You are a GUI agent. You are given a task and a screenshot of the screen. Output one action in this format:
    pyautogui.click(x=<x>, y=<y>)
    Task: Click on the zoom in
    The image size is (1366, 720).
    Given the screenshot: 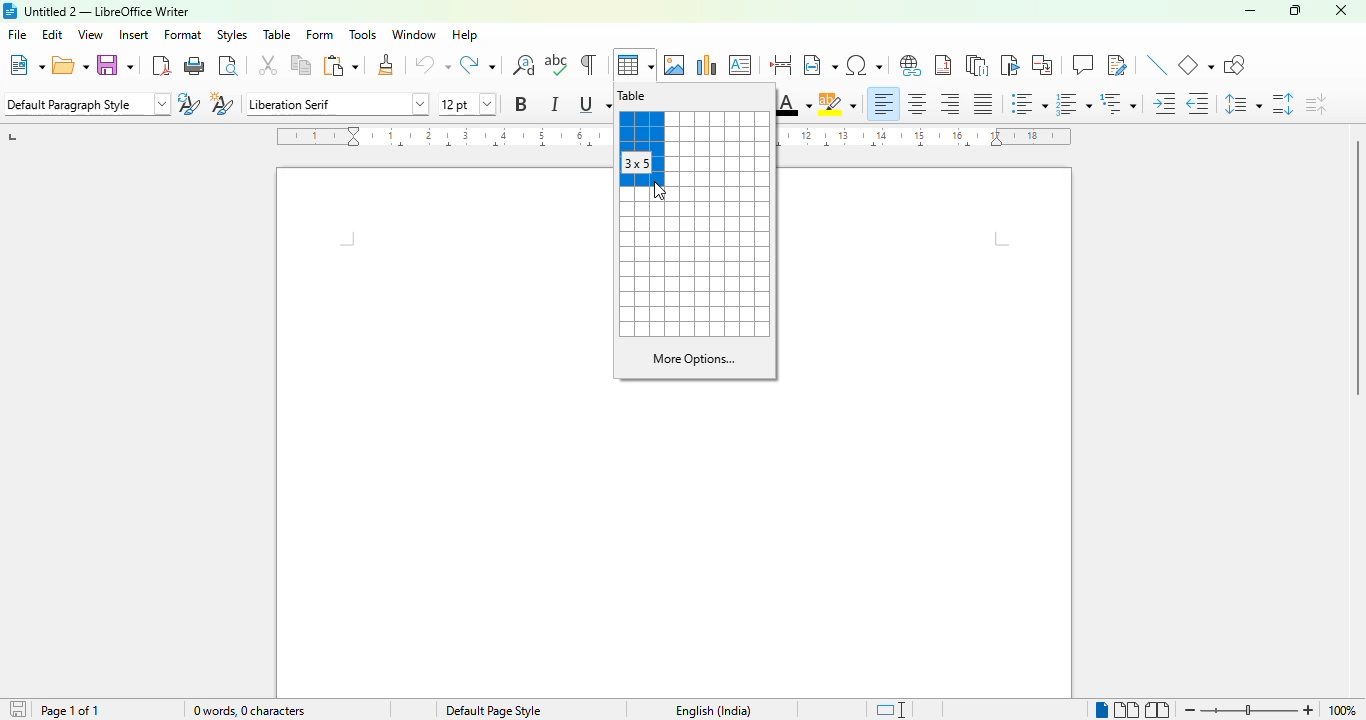 What is the action you would take?
    pyautogui.click(x=1307, y=711)
    